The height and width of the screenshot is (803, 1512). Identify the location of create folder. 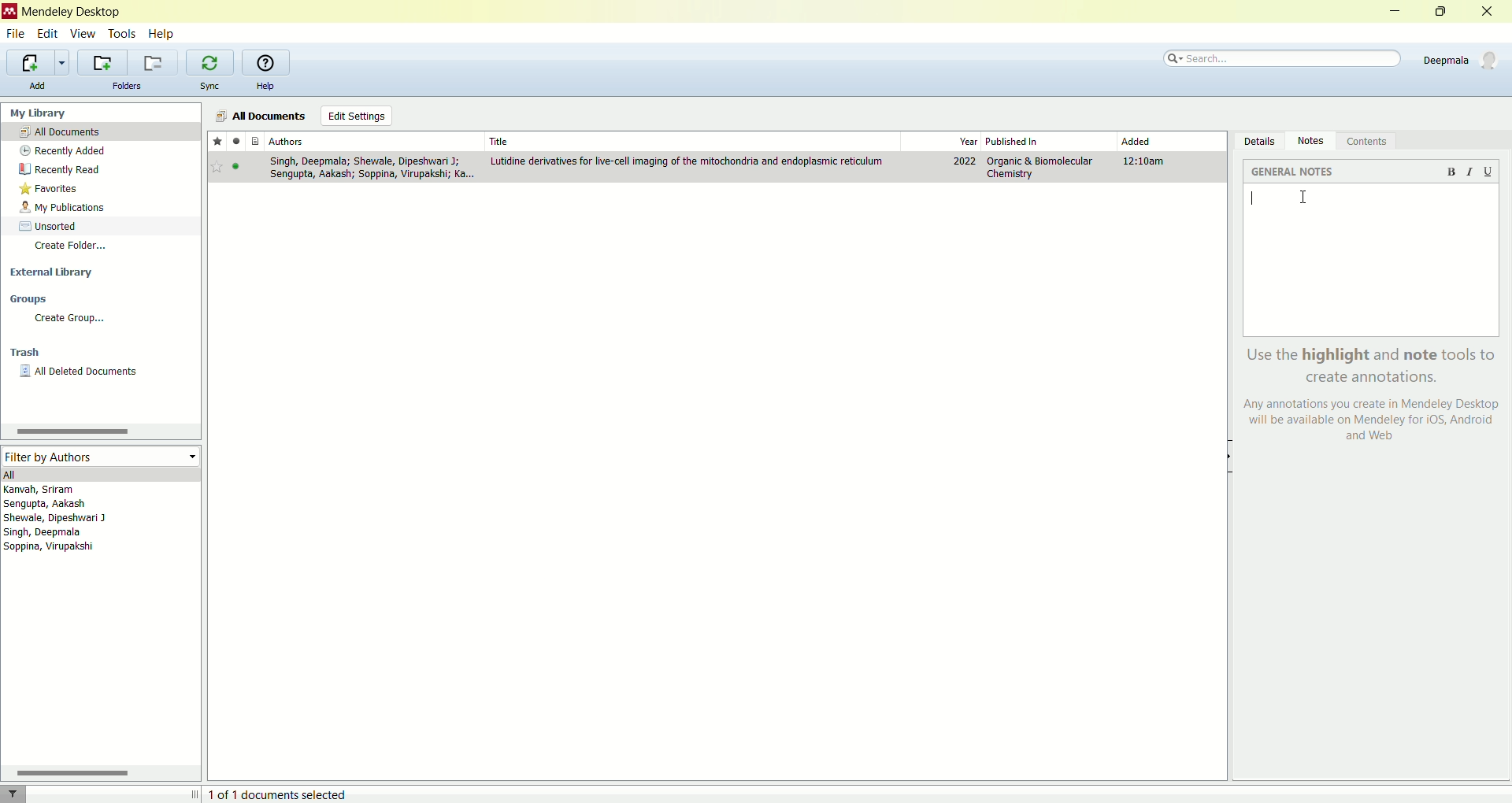
(101, 247).